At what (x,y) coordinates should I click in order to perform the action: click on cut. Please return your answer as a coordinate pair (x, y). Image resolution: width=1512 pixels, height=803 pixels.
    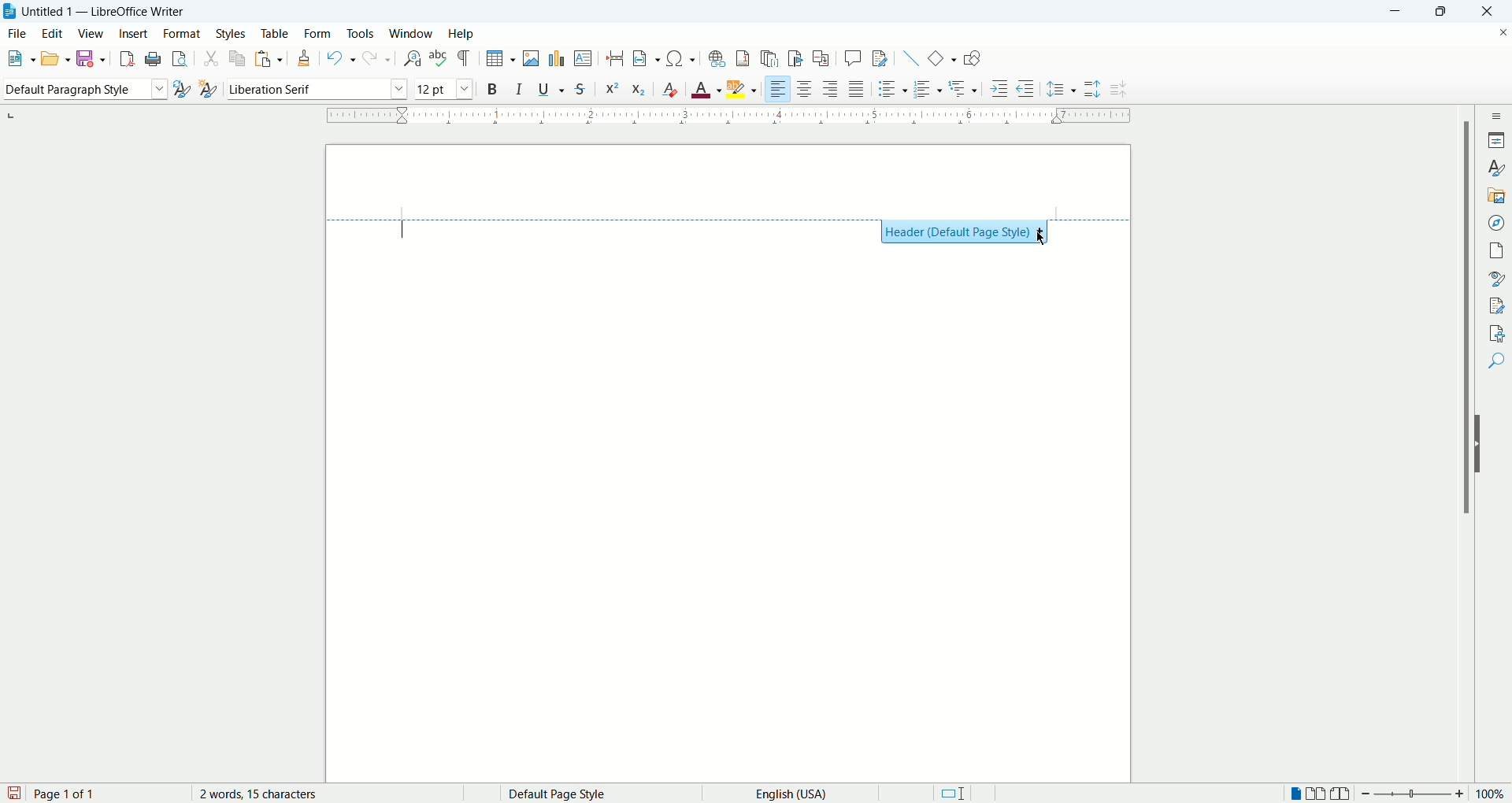
    Looking at the image, I should click on (214, 58).